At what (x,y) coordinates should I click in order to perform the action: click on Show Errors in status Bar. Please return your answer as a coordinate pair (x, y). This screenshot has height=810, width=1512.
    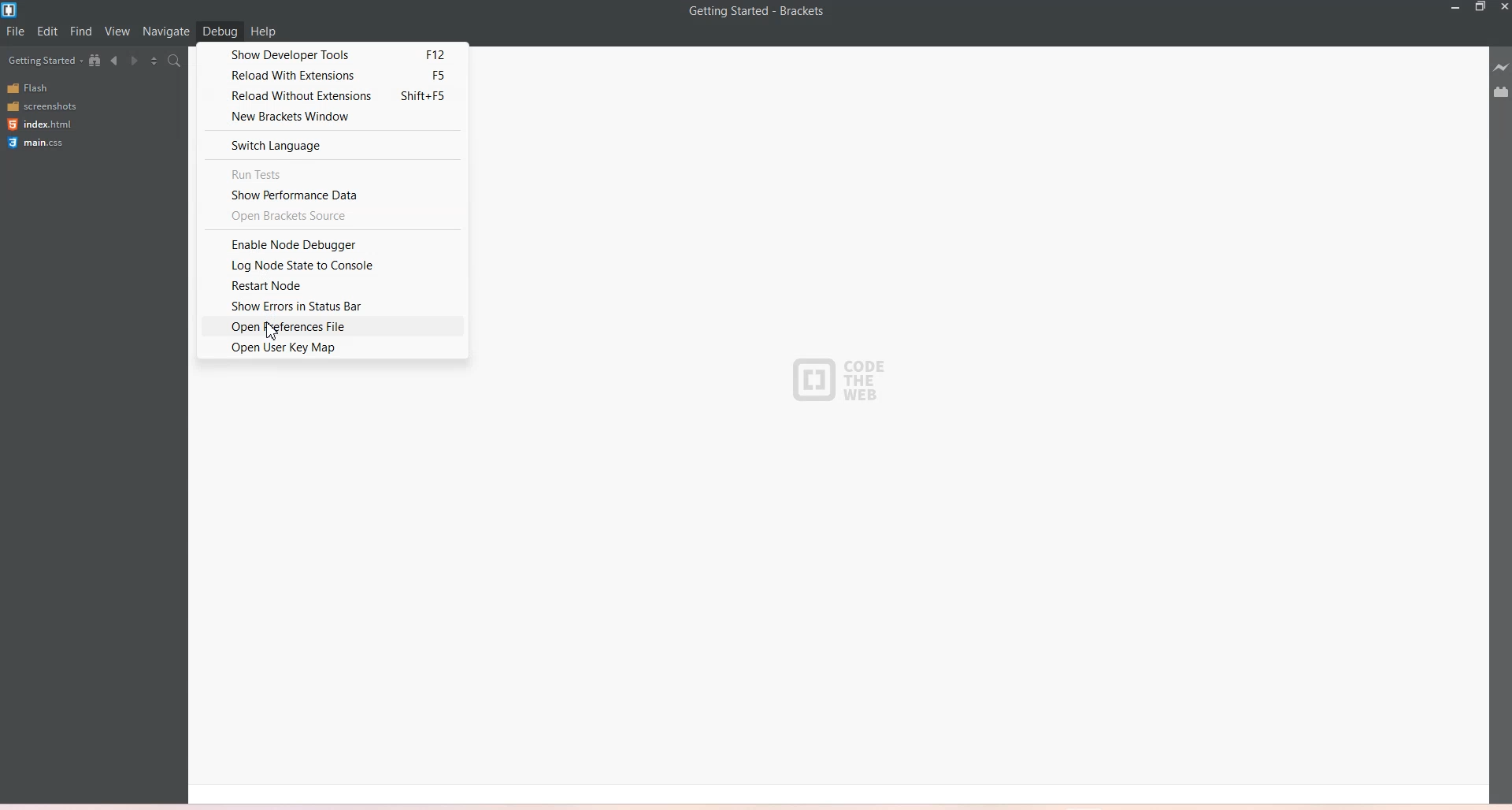
    Looking at the image, I should click on (328, 305).